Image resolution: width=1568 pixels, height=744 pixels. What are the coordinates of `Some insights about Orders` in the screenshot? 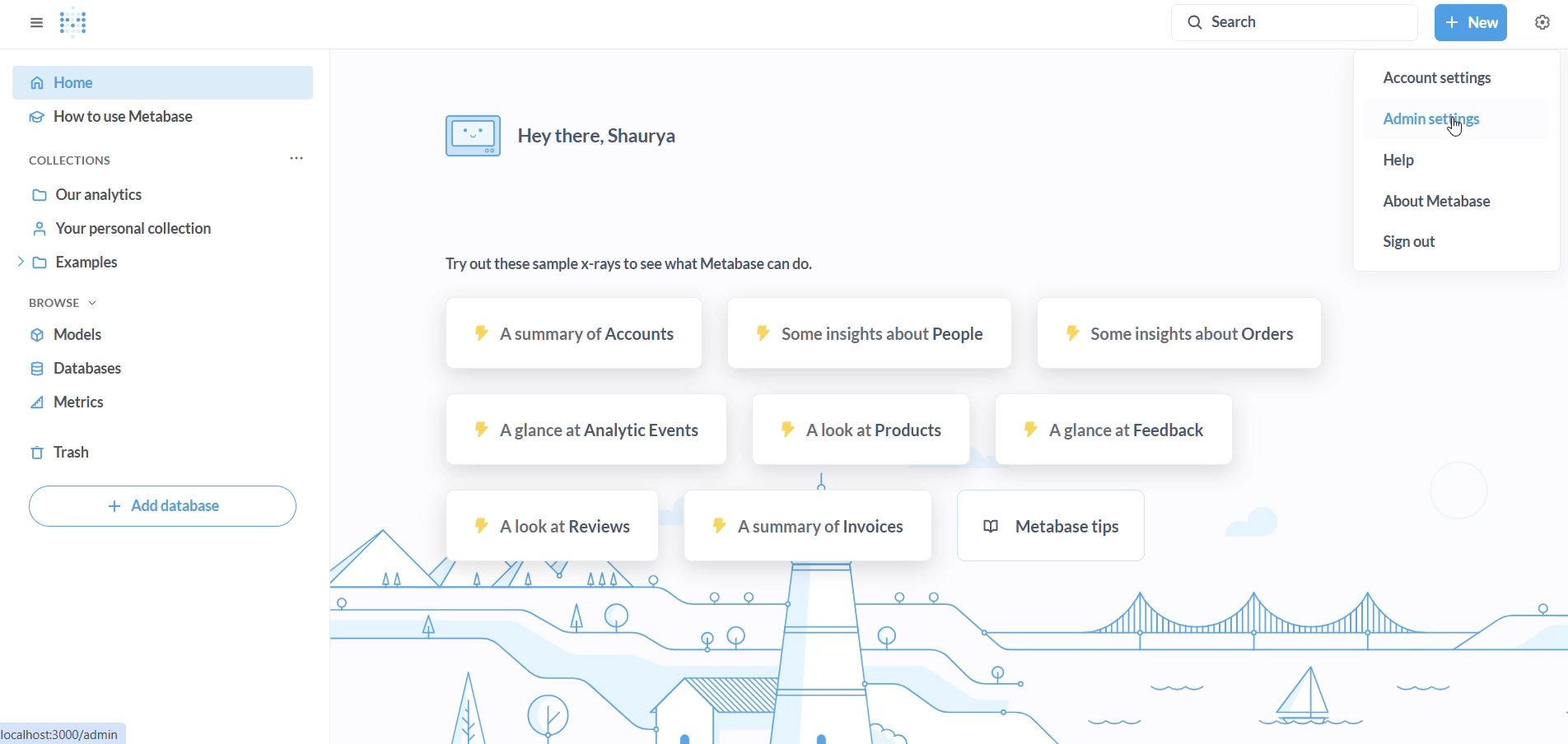 It's located at (1182, 332).